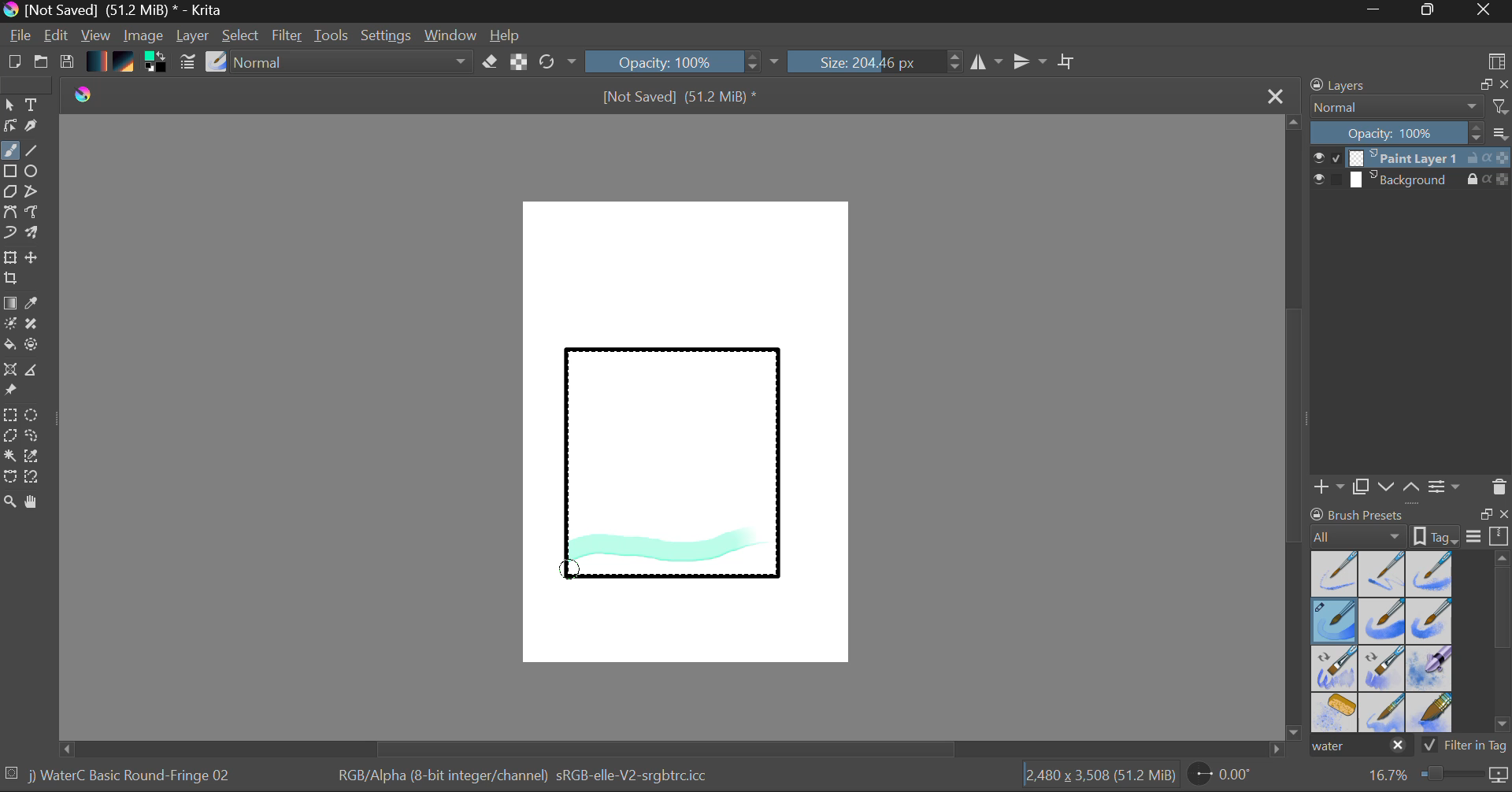 The height and width of the screenshot is (792, 1512). I want to click on Paintbrush, so click(9, 152).